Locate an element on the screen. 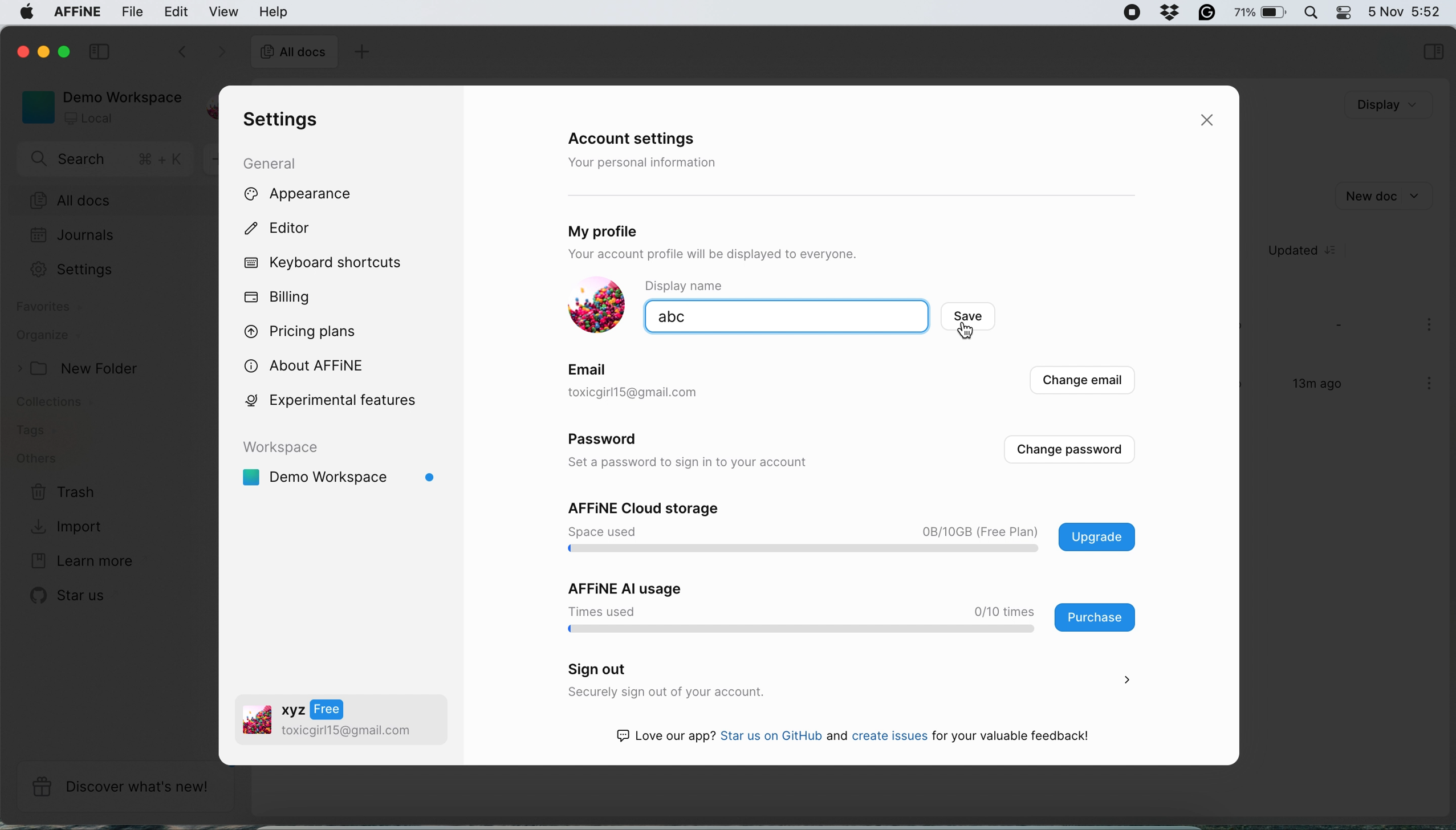 Image resolution: width=1456 pixels, height=830 pixels. all docs is located at coordinates (112, 201).